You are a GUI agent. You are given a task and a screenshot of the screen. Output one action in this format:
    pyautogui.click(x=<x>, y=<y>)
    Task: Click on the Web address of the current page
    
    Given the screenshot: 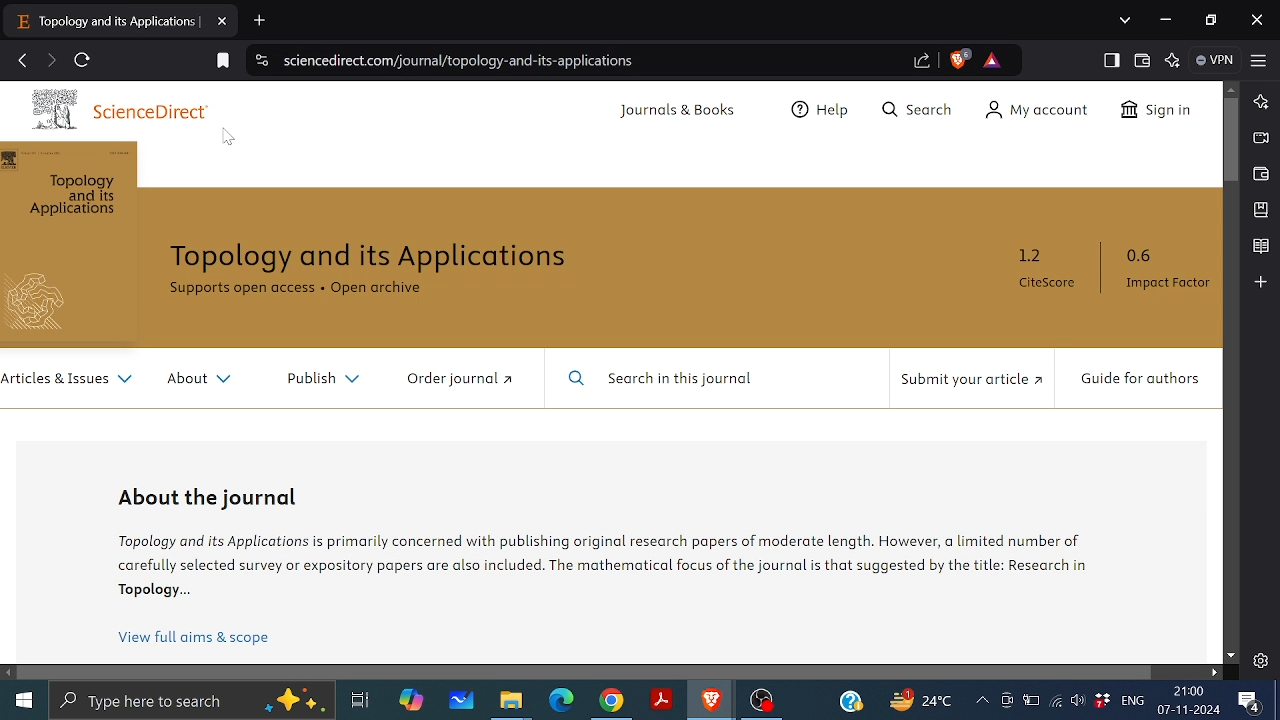 What is the action you would take?
    pyautogui.click(x=466, y=60)
    